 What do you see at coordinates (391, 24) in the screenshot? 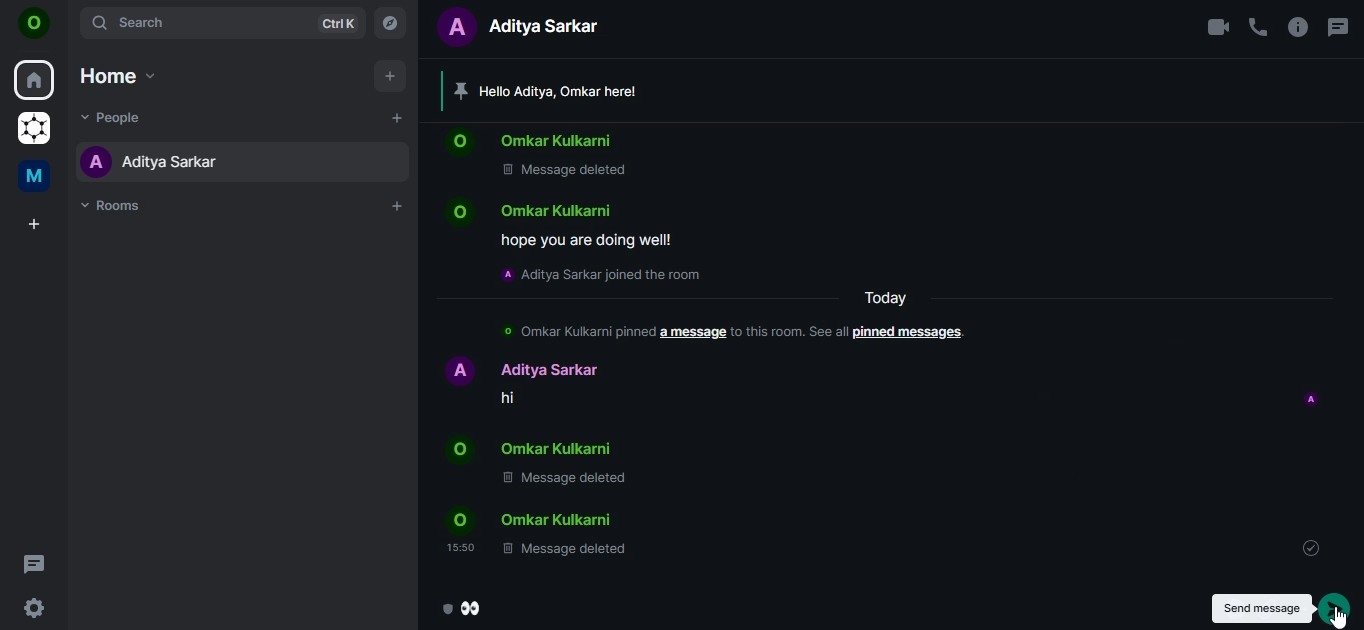
I see `explore rooms` at bounding box center [391, 24].